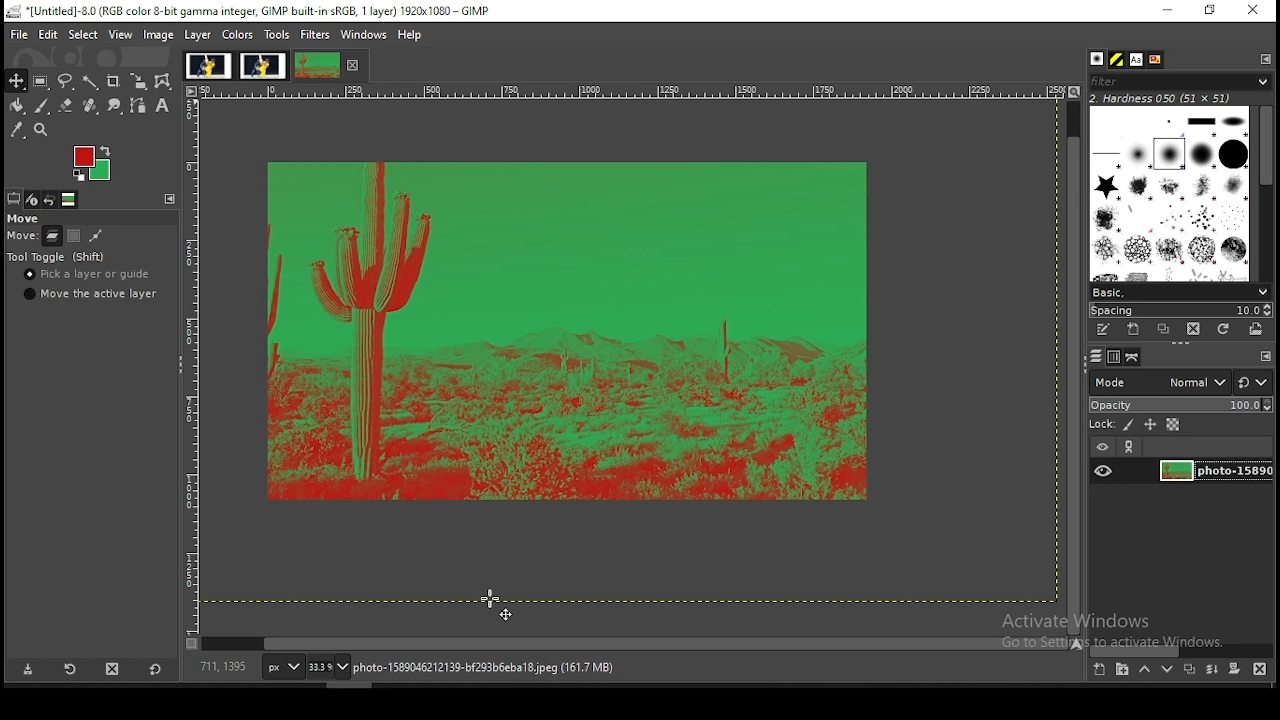 The width and height of the screenshot is (1280, 720). Describe the element at coordinates (115, 104) in the screenshot. I see `smudge tool` at that location.